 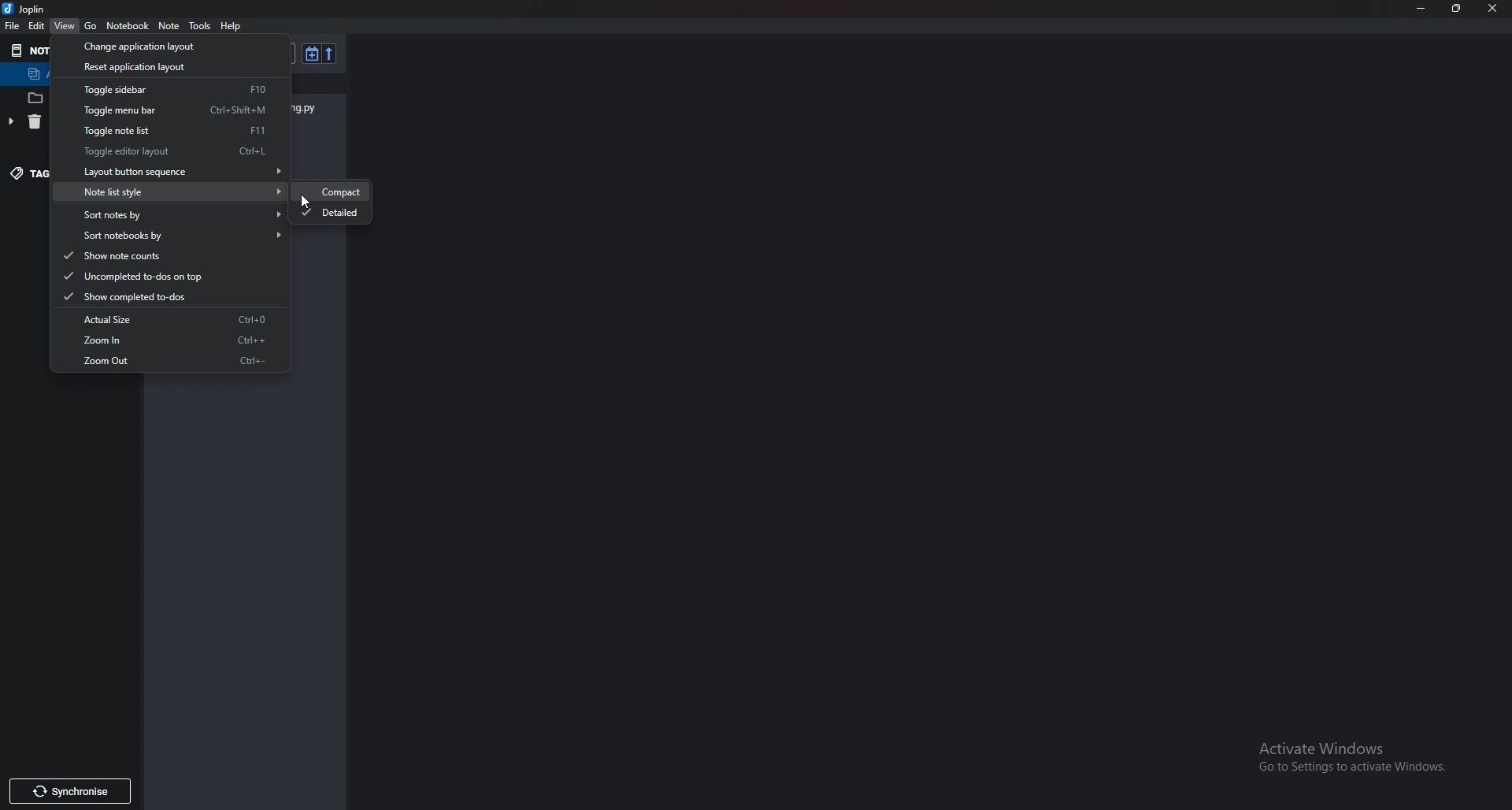 I want to click on Toggle menu bar, so click(x=175, y=110).